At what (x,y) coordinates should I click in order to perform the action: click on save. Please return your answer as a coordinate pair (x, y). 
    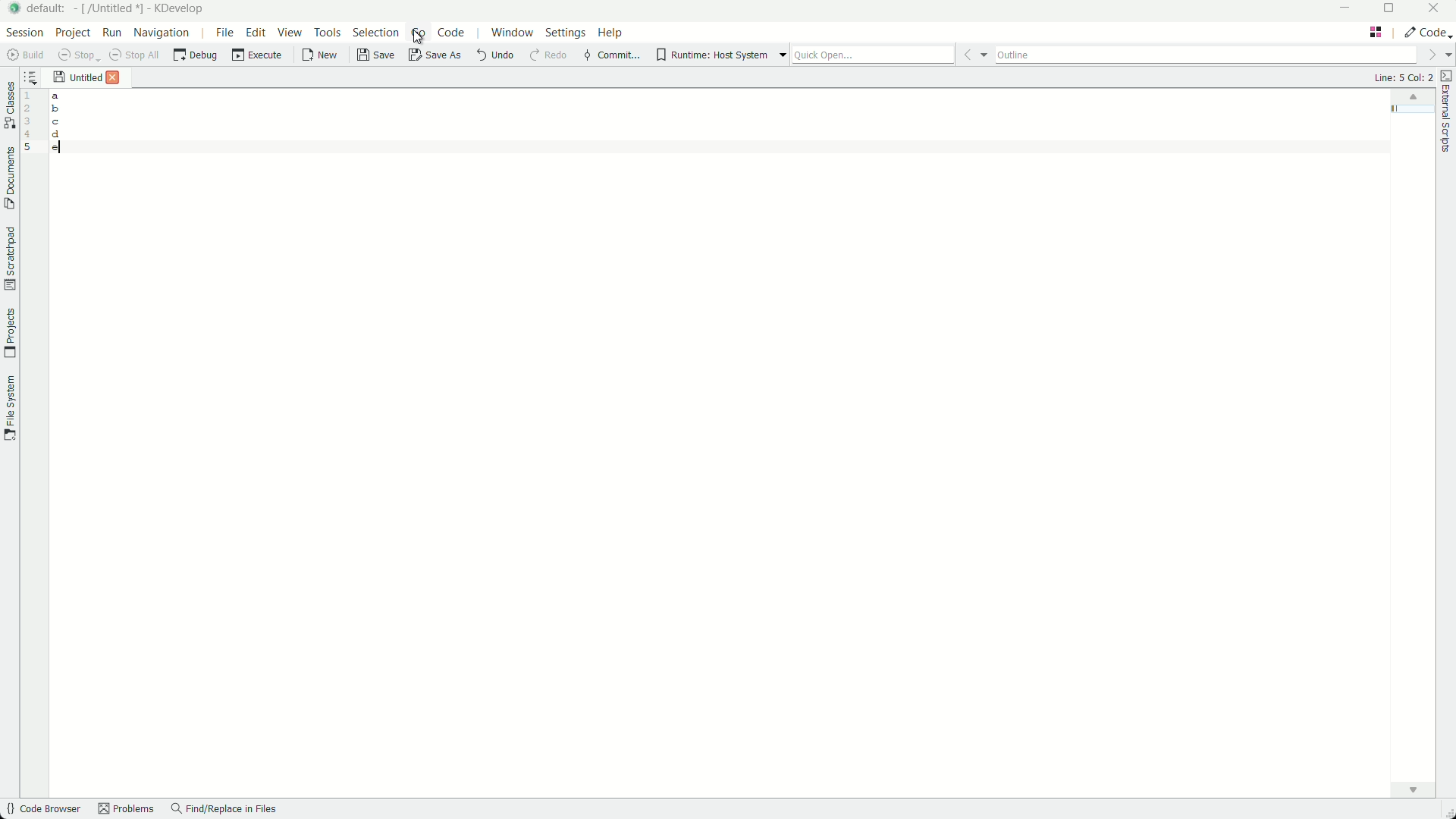
    Looking at the image, I should click on (78, 56).